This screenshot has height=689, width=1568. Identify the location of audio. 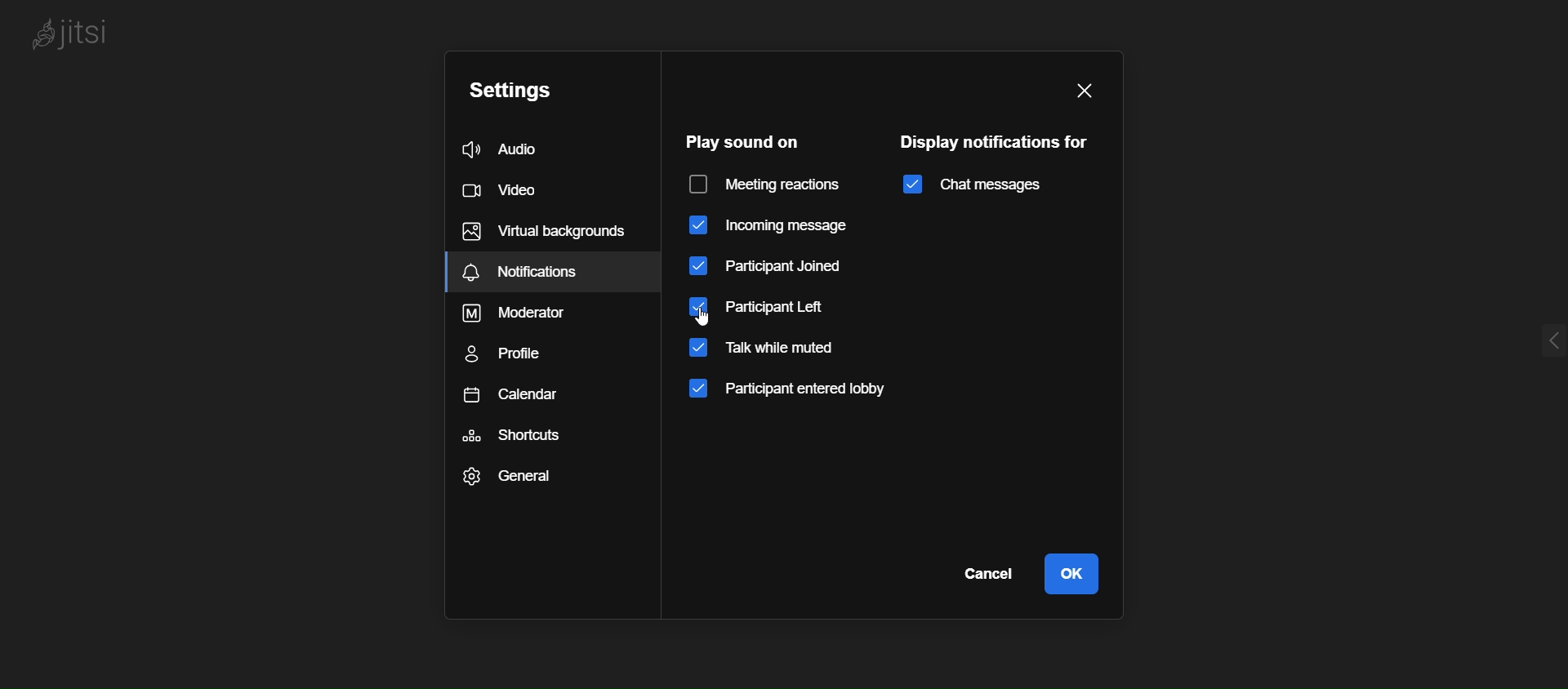
(509, 149).